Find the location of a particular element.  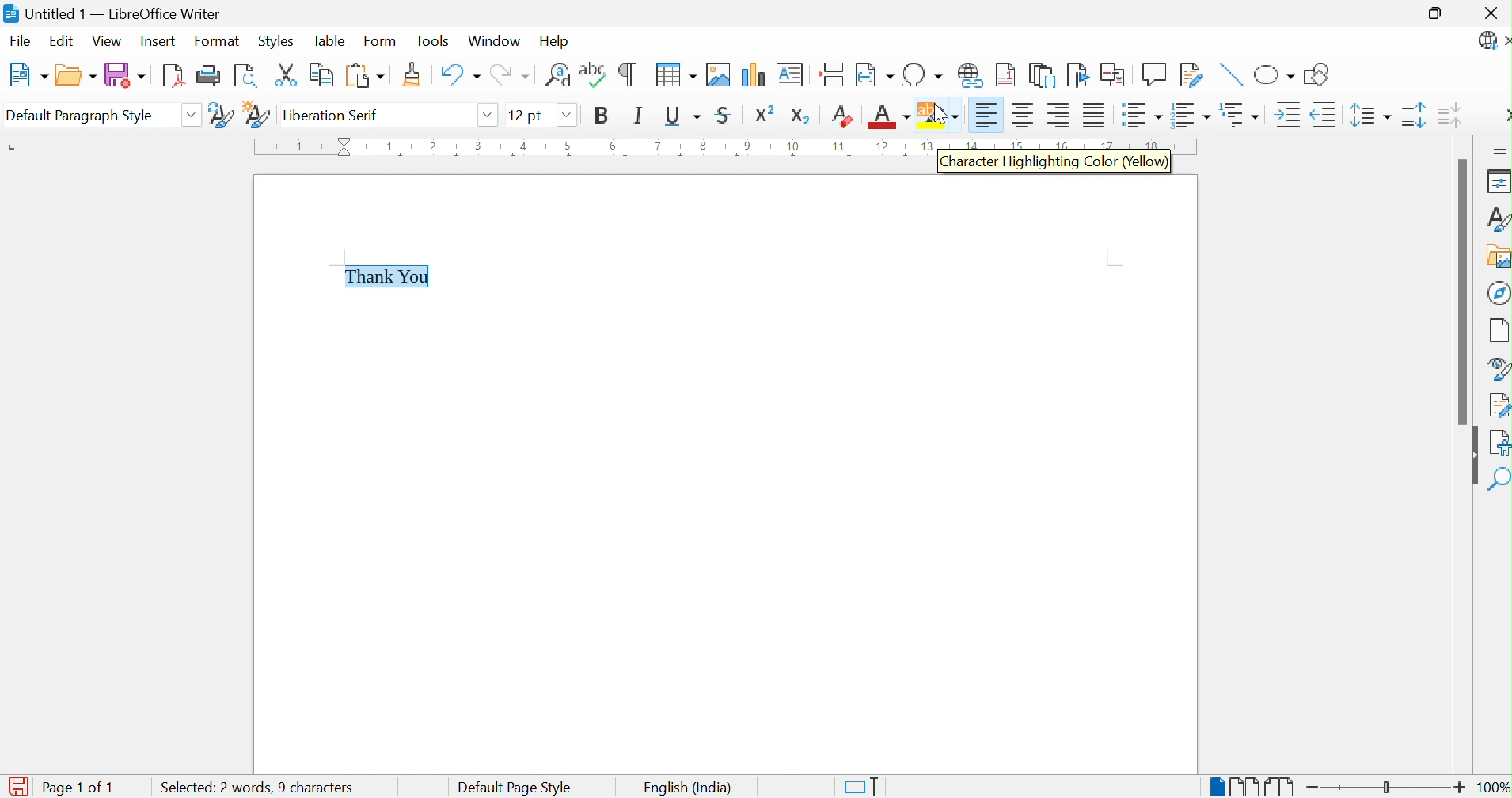

Default Page Style is located at coordinates (516, 786).